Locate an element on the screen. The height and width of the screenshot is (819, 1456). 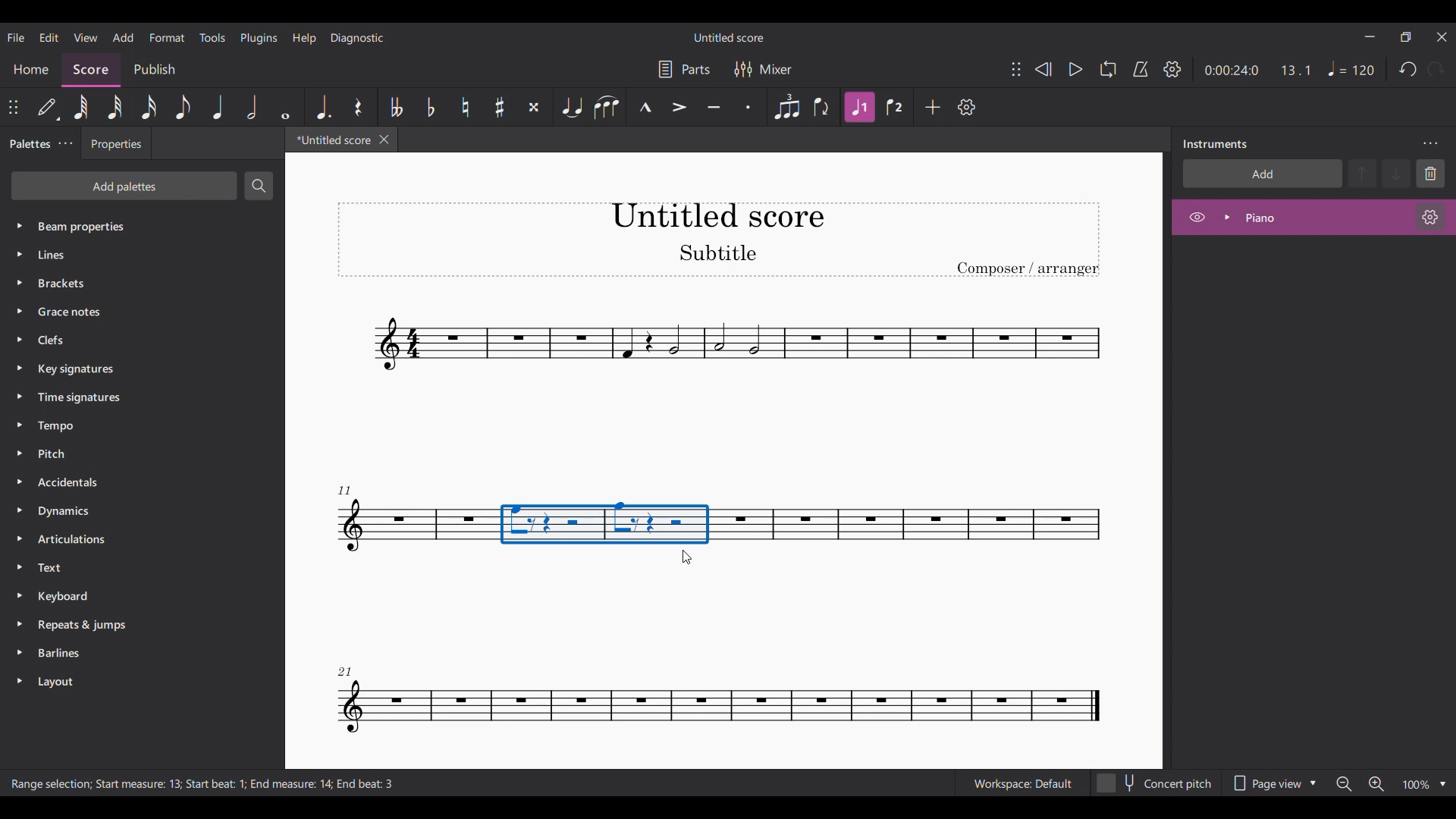
File menu is located at coordinates (15, 37).